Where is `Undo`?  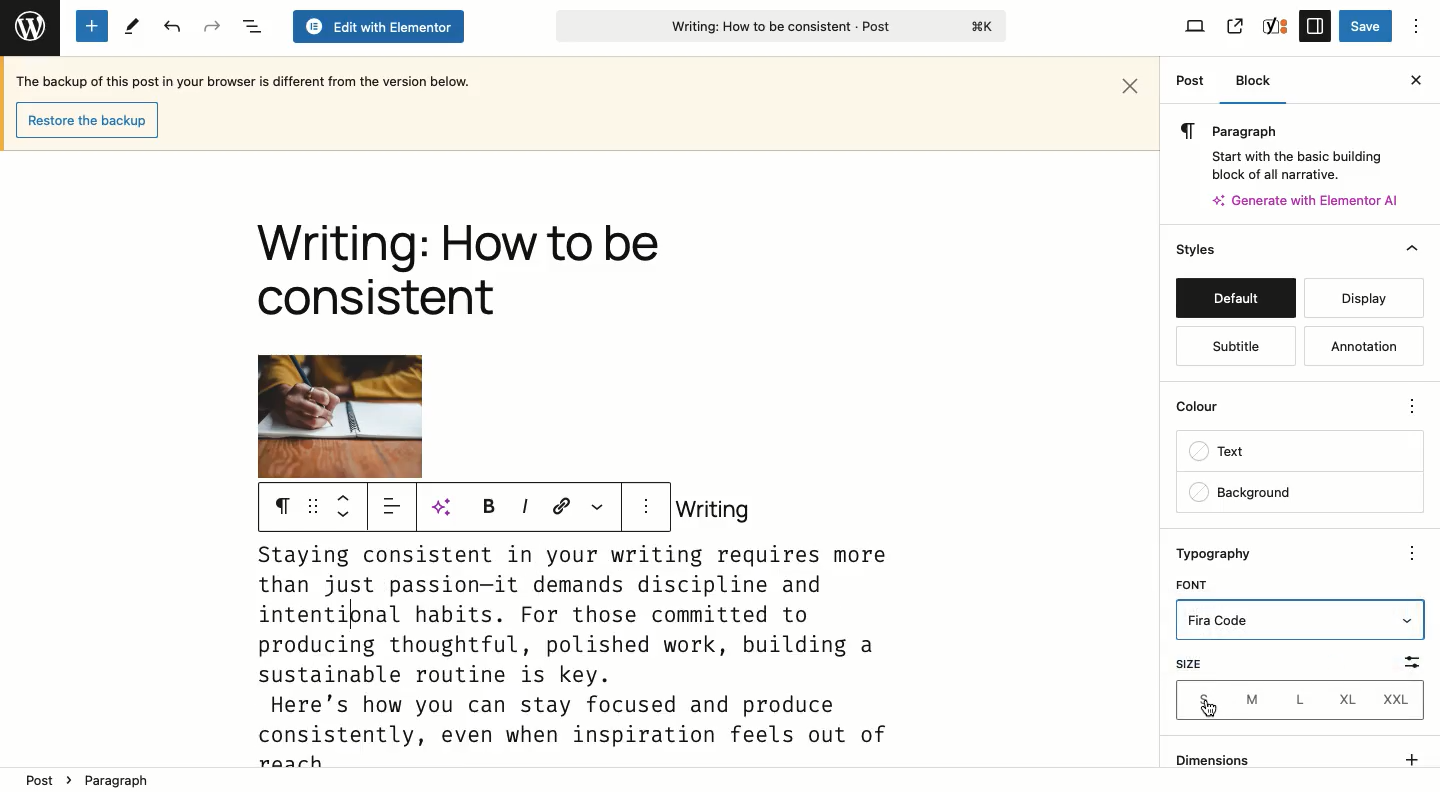 Undo is located at coordinates (172, 27).